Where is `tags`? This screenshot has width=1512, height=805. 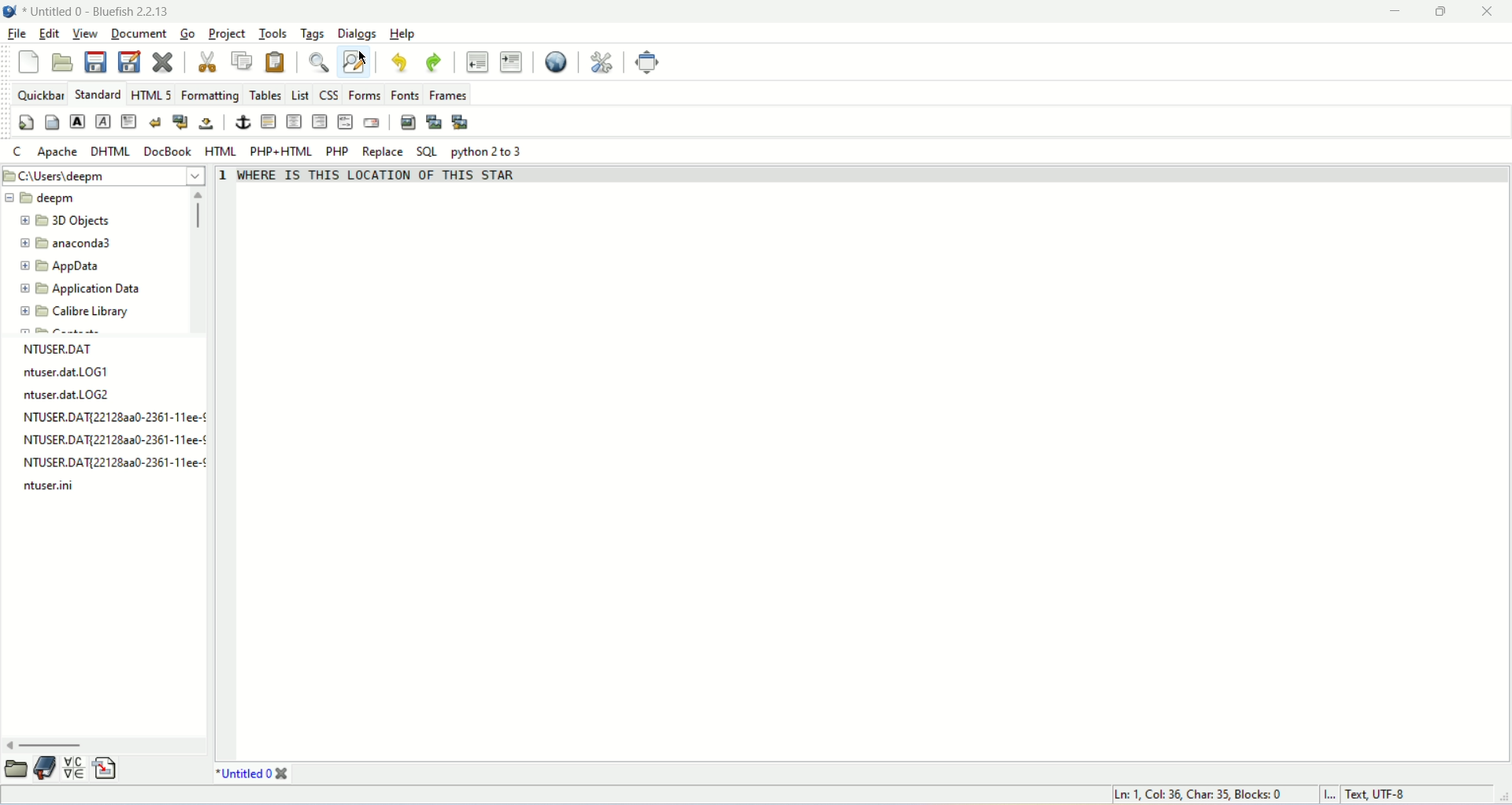
tags is located at coordinates (310, 34).